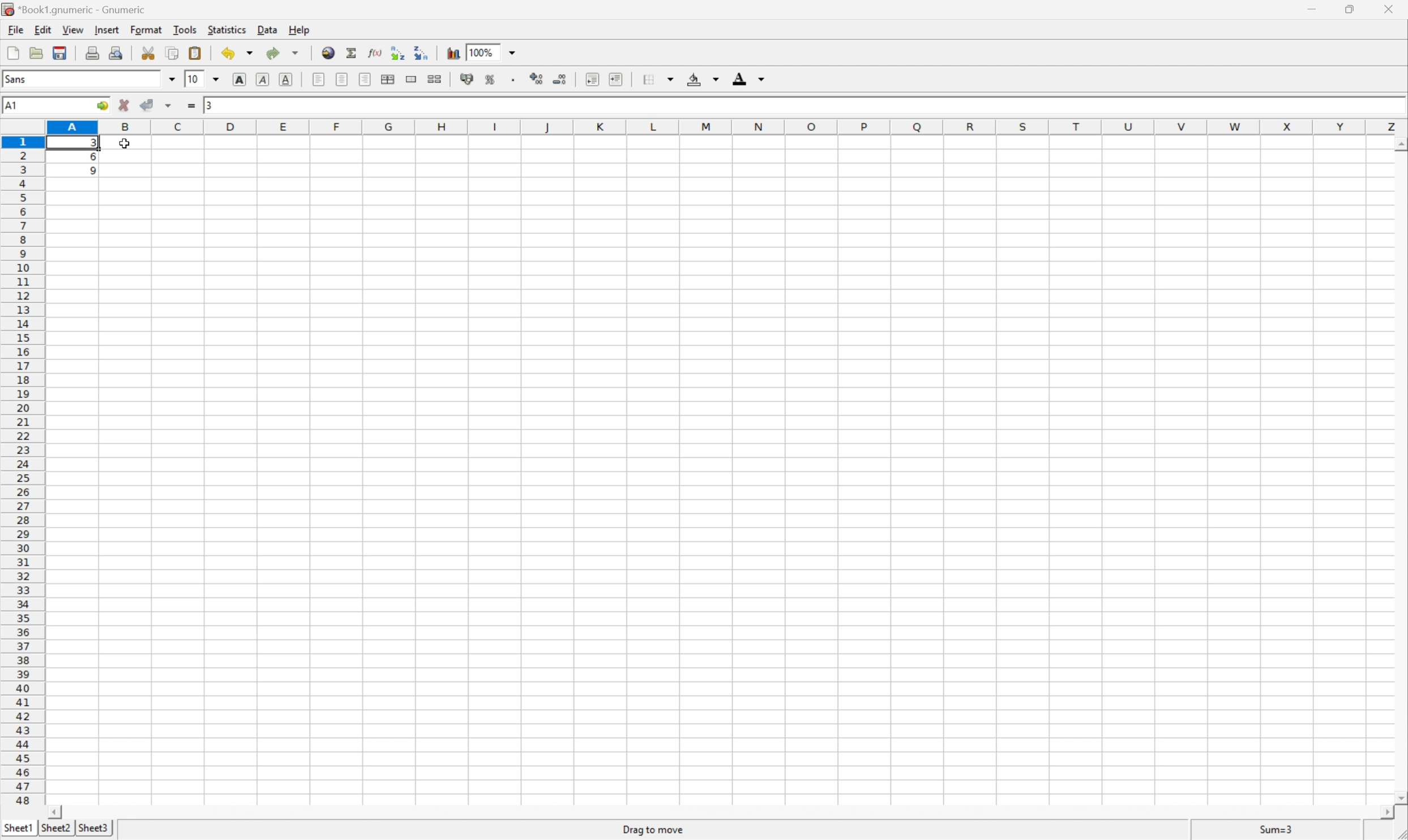 The height and width of the screenshot is (840, 1408). What do you see at coordinates (513, 80) in the screenshot?
I see `Set the format of the selected cells to include a thousands separator` at bounding box center [513, 80].